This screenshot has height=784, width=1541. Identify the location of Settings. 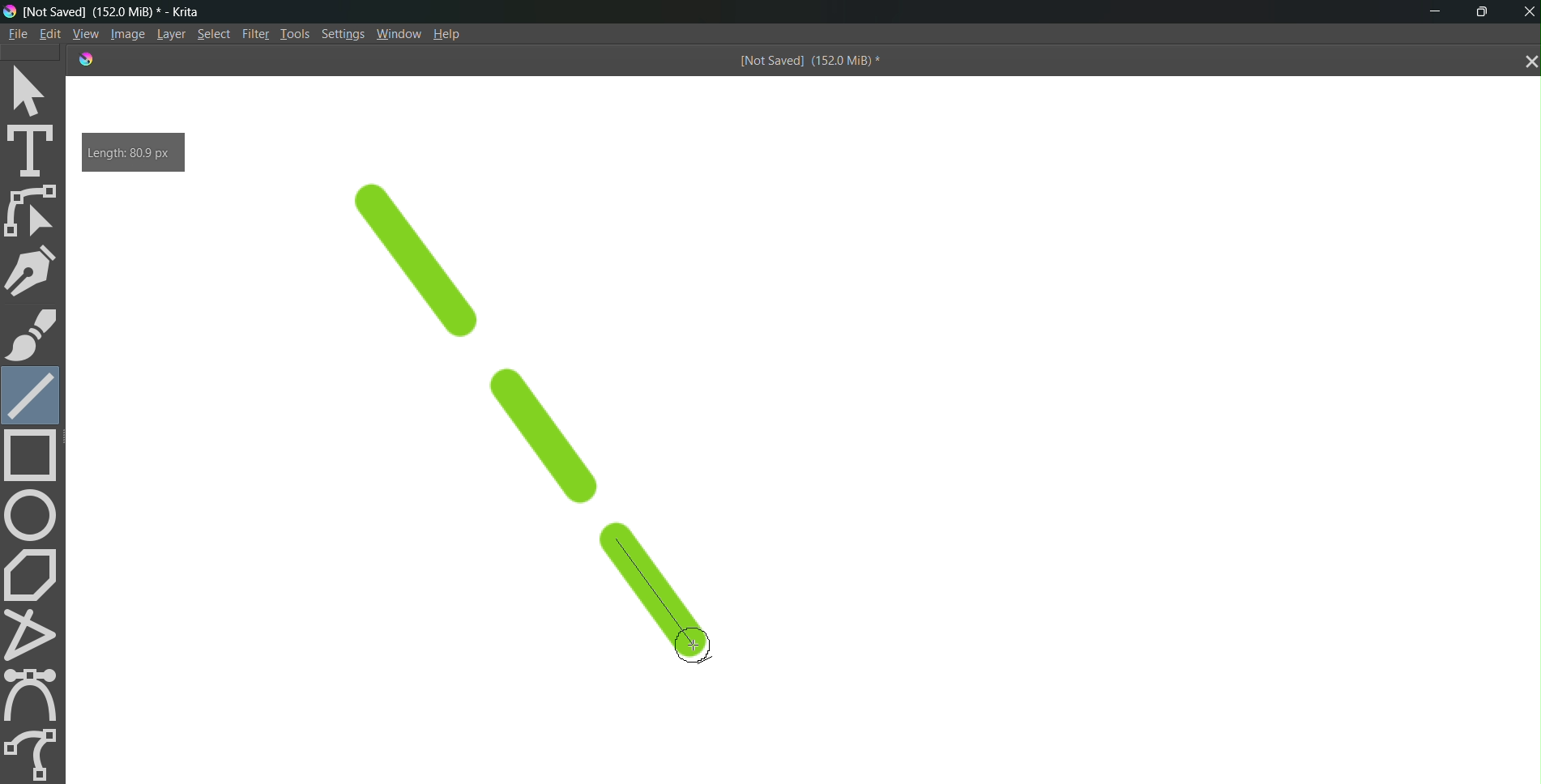
(344, 36).